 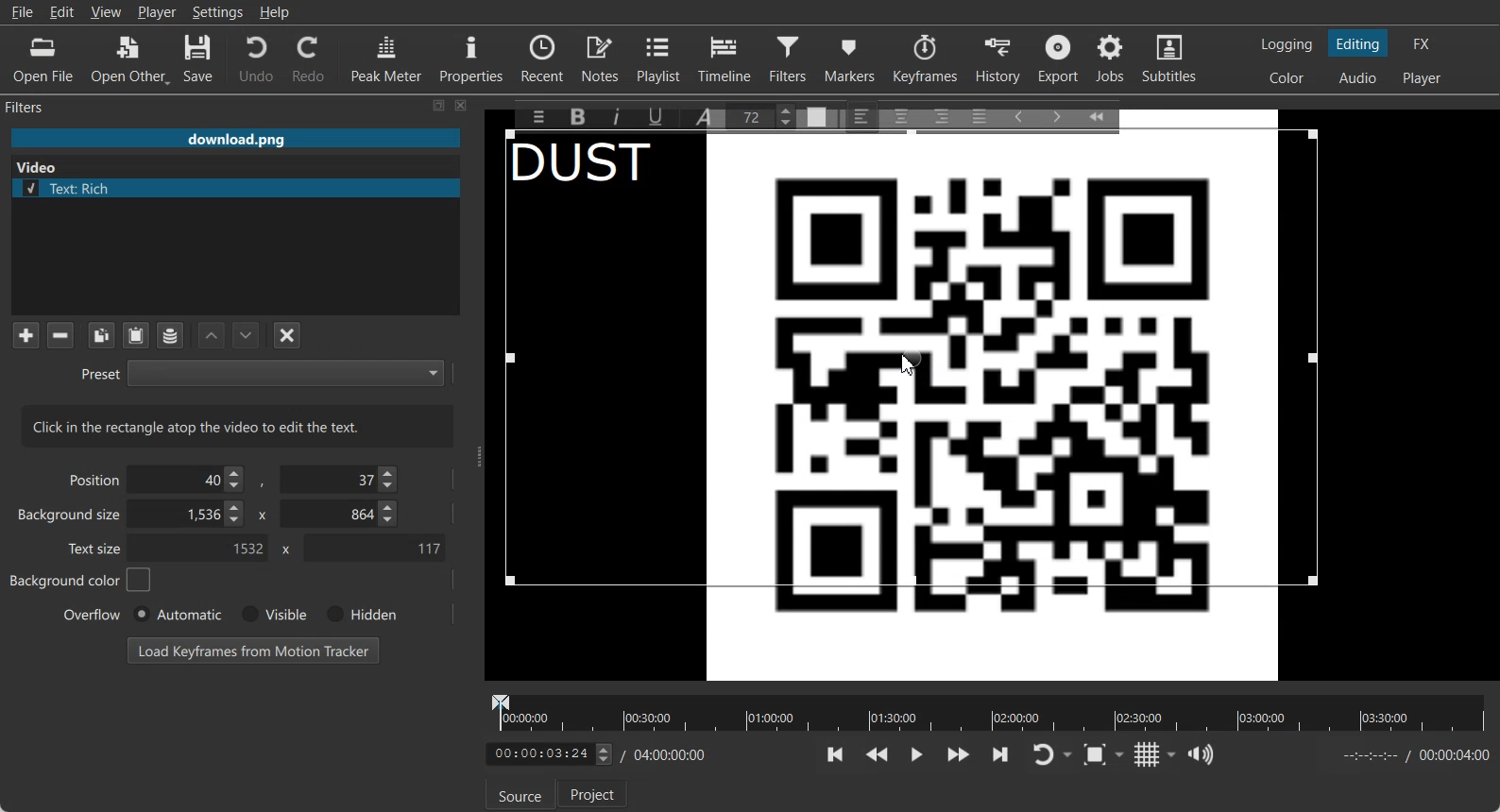 I want to click on Position, so click(x=91, y=479).